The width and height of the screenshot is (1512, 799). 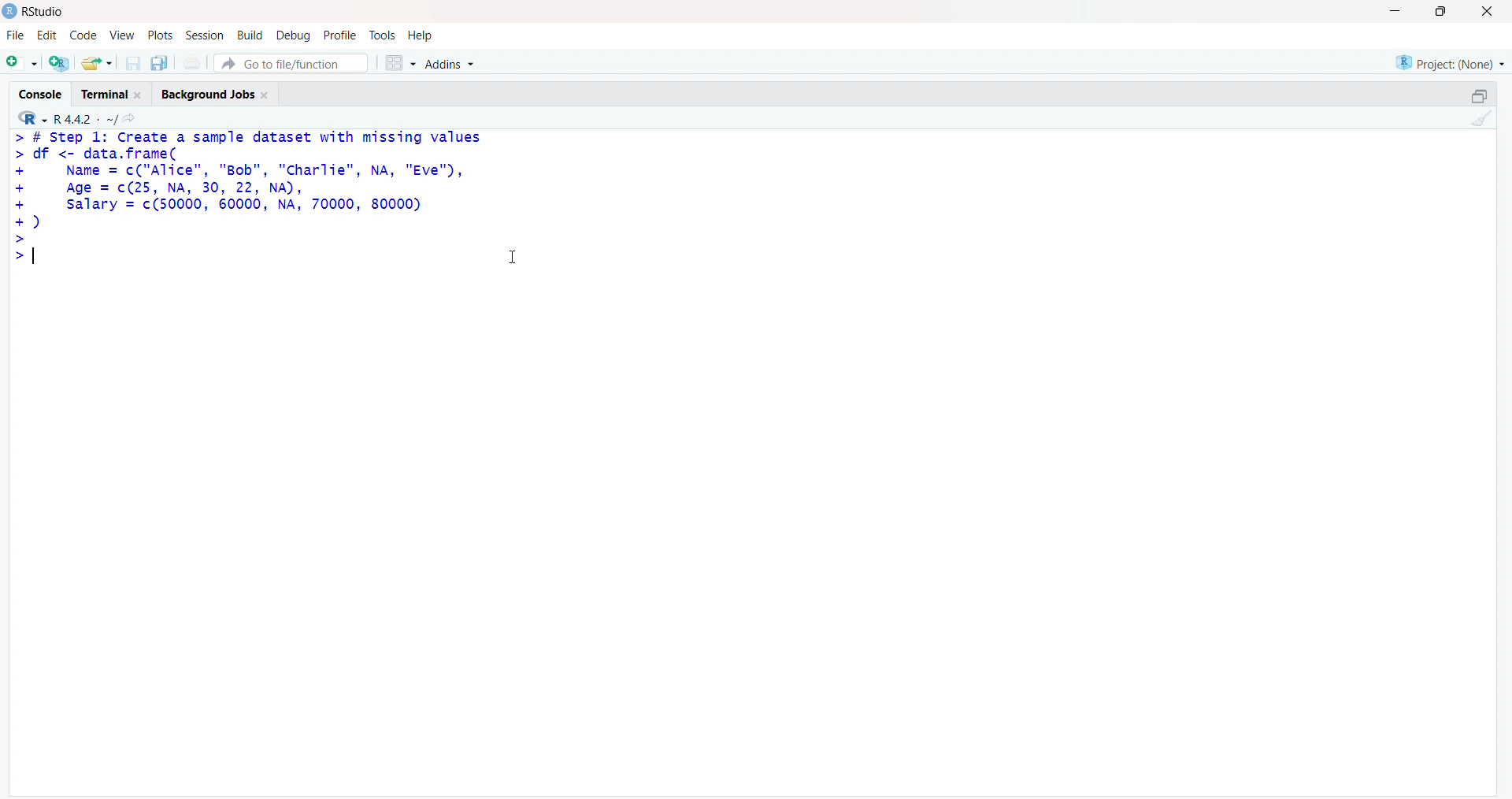 I want to click on Debug, so click(x=295, y=34).